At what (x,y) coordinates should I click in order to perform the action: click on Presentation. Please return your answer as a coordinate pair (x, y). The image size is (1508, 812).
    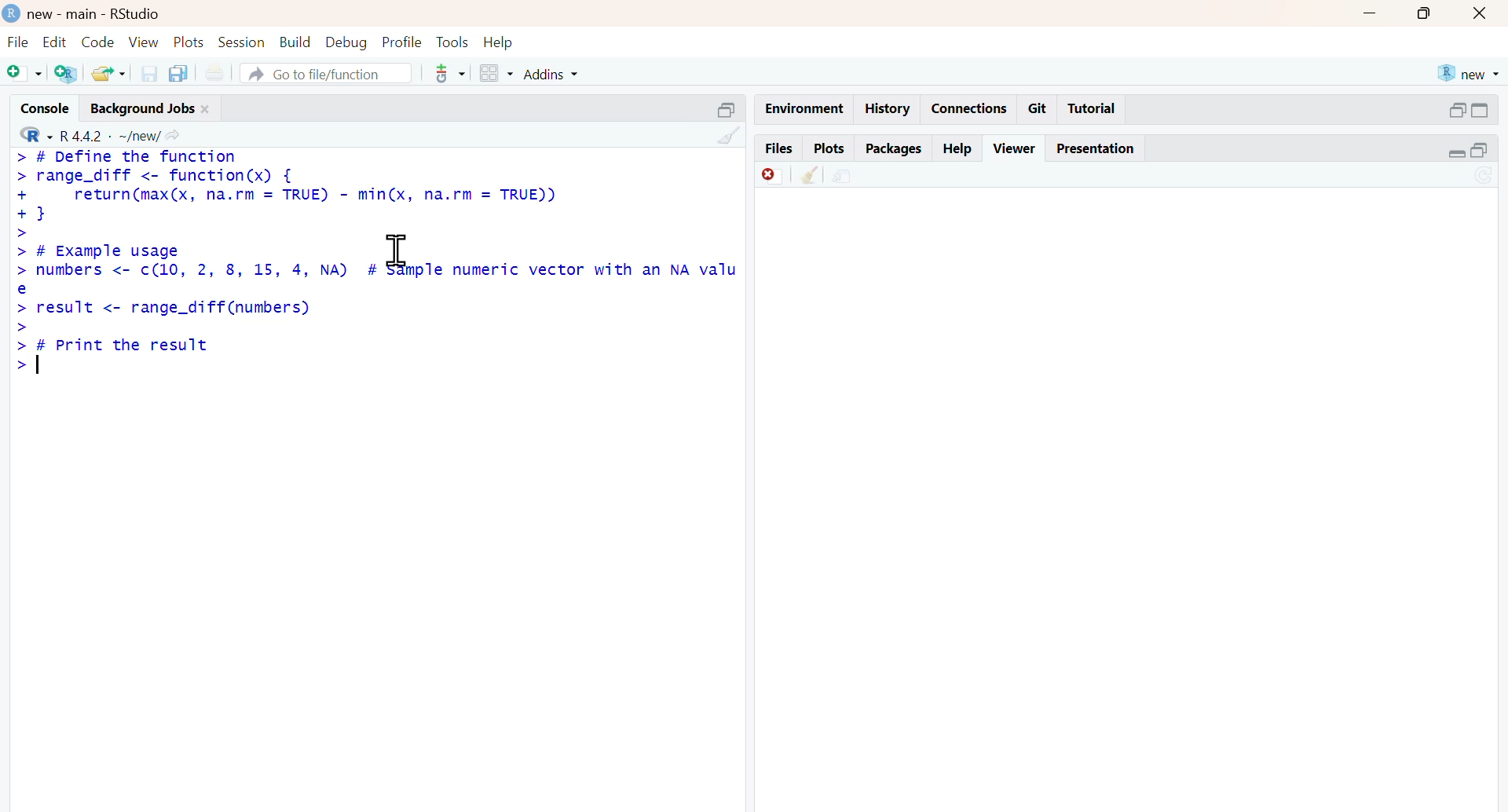
    Looking at the image, I should click on (1096, 148).